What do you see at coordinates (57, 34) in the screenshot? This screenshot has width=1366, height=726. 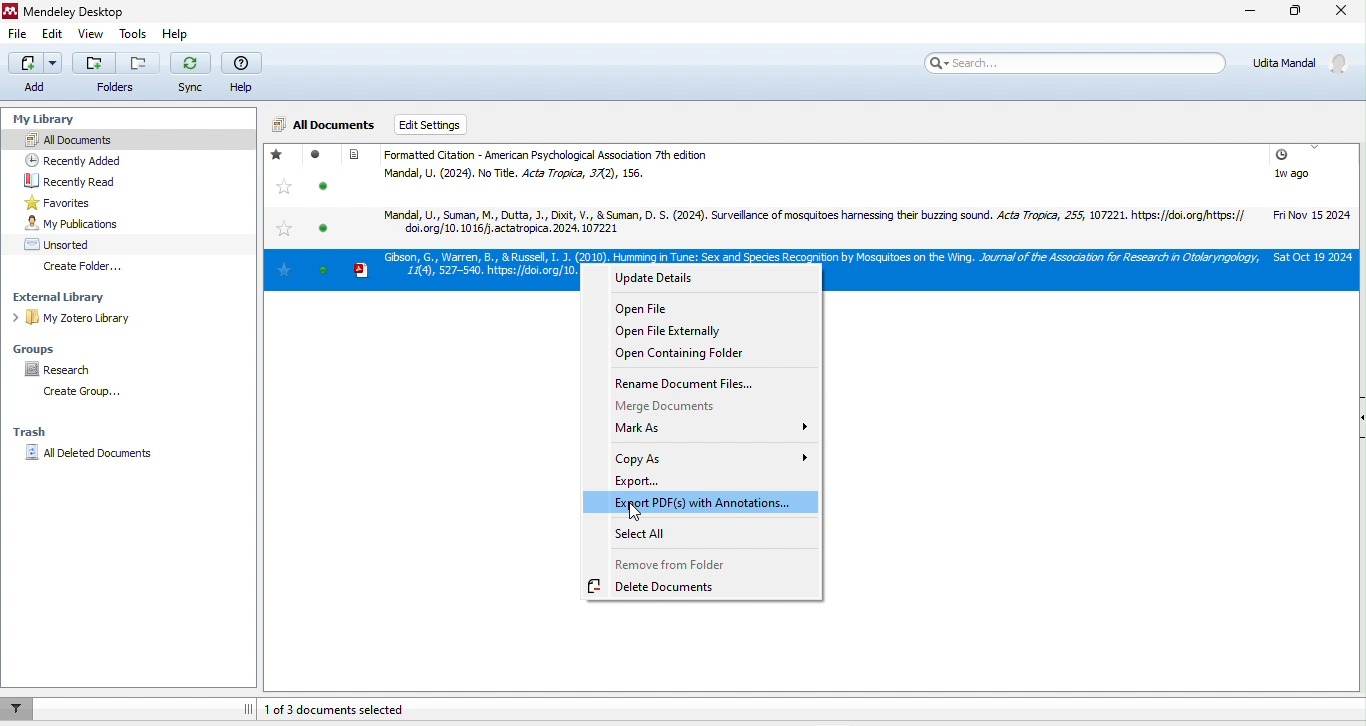 I see `edit` at bounding box center [57, 34].